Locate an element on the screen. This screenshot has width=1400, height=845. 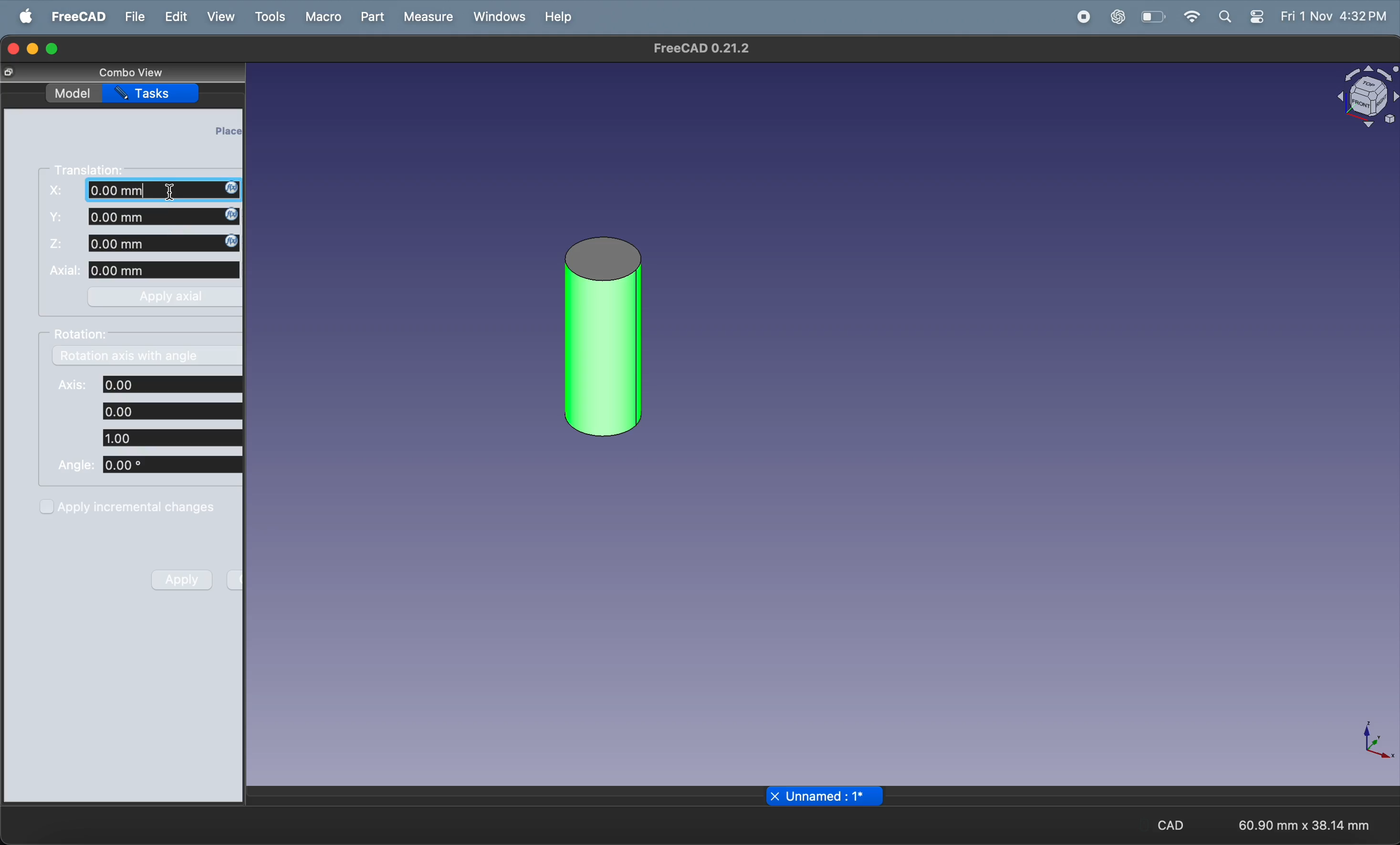
object view is located at coordinates (1367, 97).